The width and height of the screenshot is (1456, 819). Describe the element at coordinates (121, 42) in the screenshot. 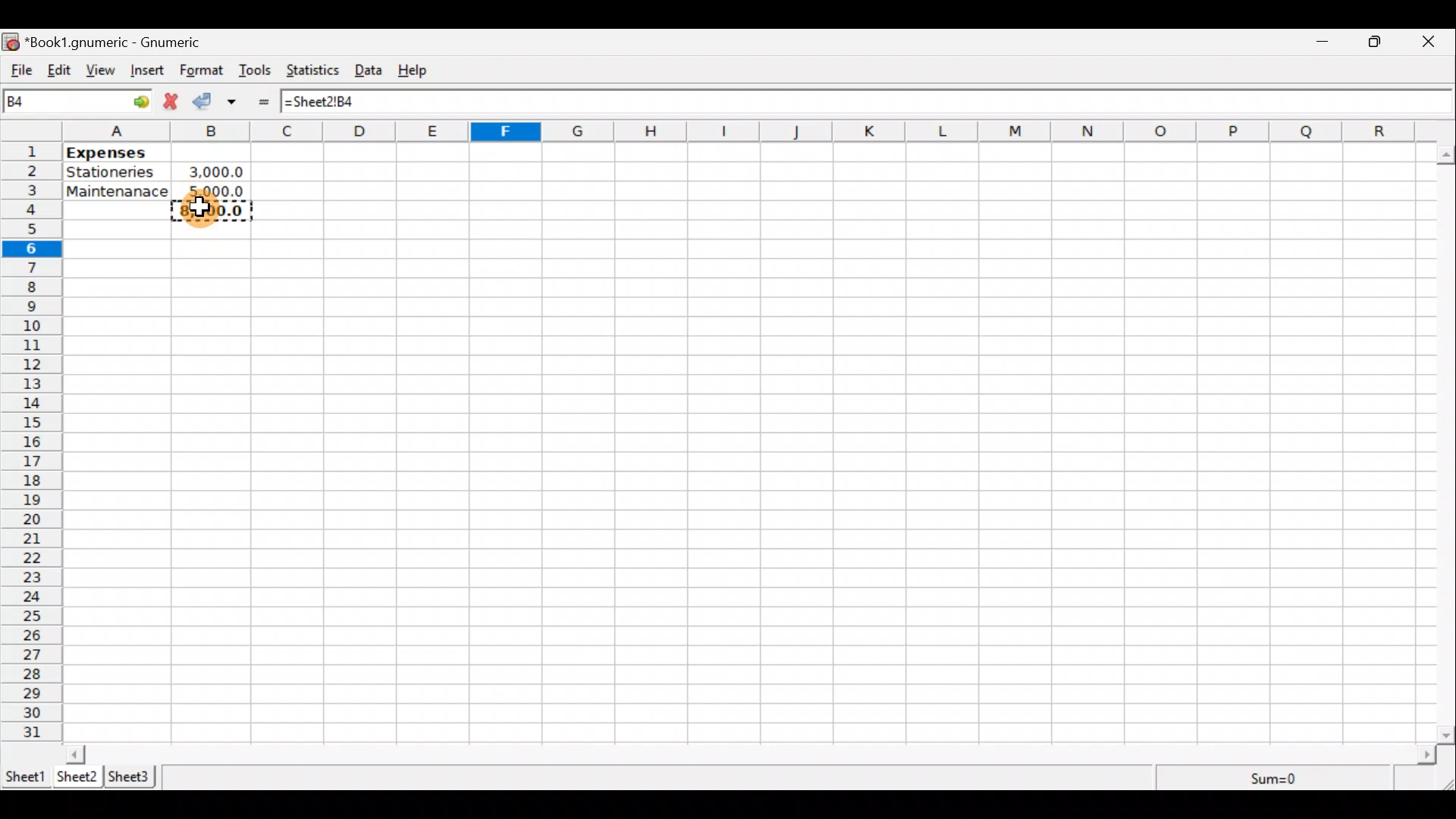

I see `“Book1.gnumeric - Gnumeric` at that location.